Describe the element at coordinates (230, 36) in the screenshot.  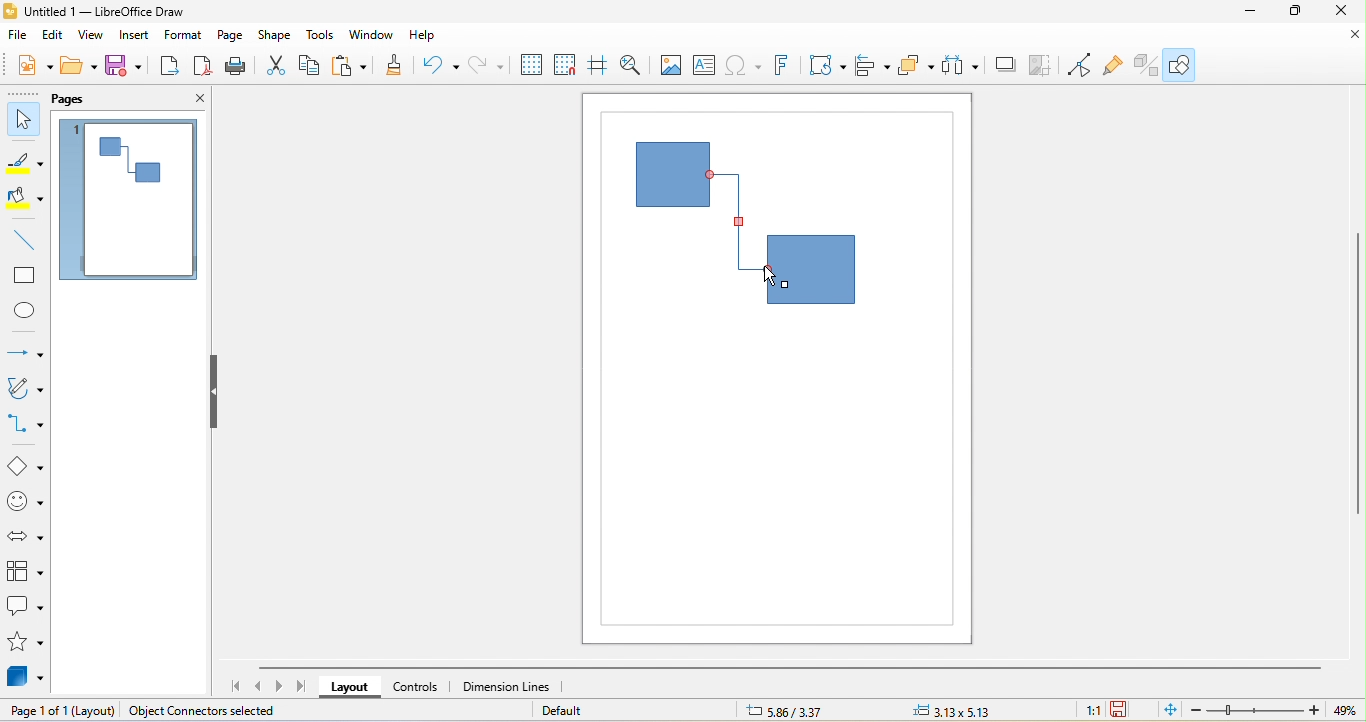
I see `page` at that location.